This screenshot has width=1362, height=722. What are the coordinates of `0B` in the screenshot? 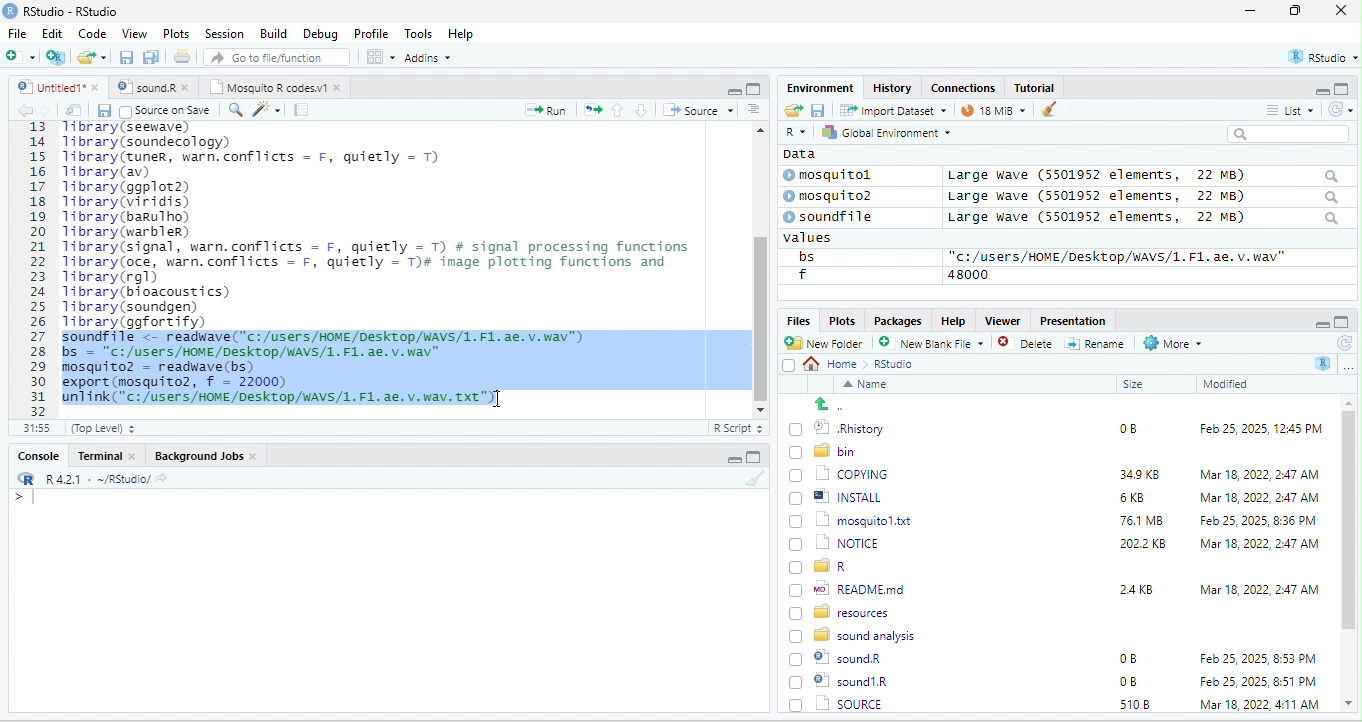 It's located at (1127, 659).